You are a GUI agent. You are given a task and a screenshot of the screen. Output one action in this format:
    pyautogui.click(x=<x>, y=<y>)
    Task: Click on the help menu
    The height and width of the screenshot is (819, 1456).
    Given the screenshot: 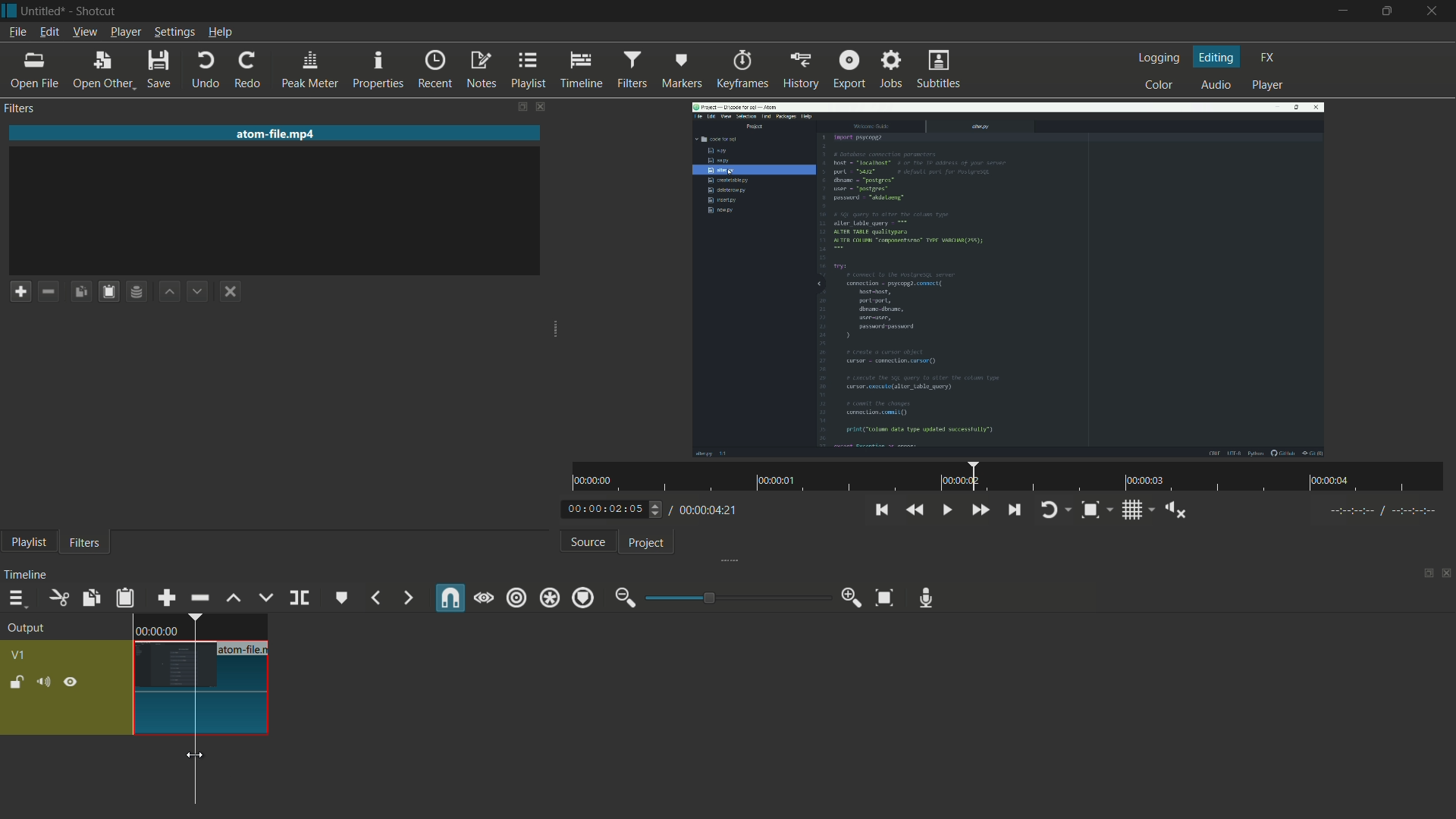 What is the action you would take?
    pyautogui.click(x=221, y=33)
    